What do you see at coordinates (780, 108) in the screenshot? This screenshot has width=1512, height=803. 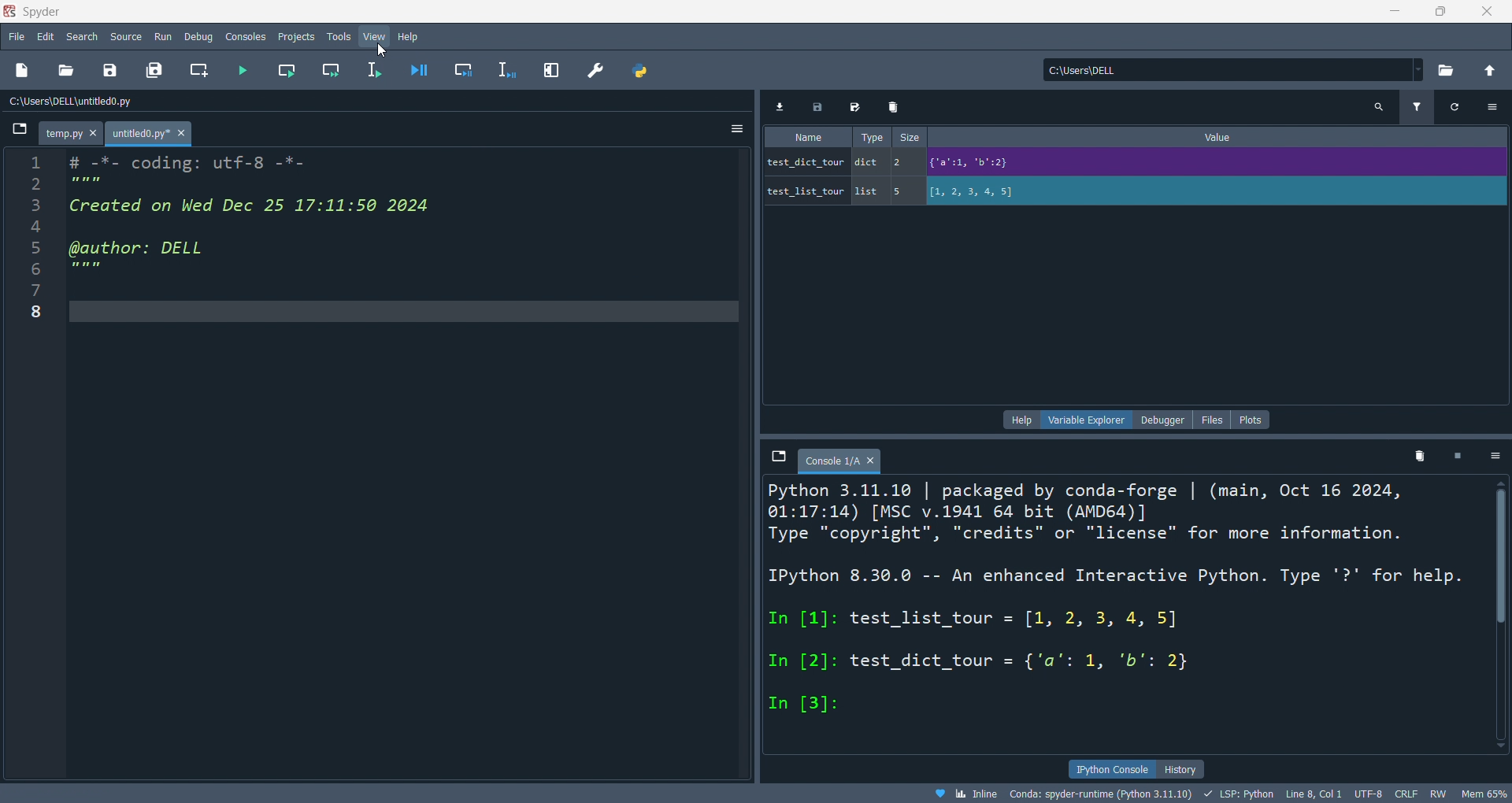 I see `import` at bounding box center [780, 108].